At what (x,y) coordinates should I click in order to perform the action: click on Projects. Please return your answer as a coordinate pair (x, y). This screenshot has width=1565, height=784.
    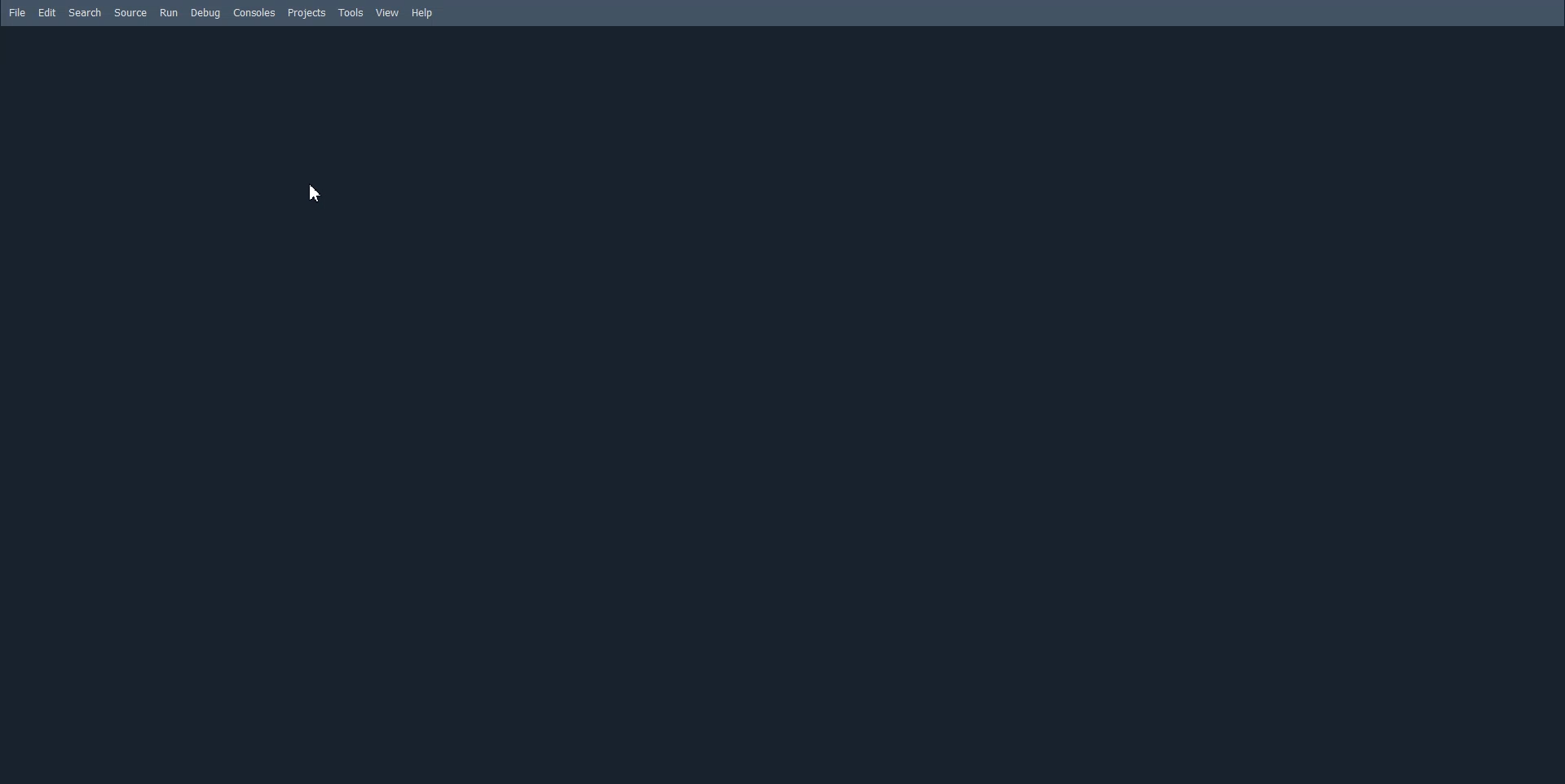
    Looking at the image, I should click on (306, 13).